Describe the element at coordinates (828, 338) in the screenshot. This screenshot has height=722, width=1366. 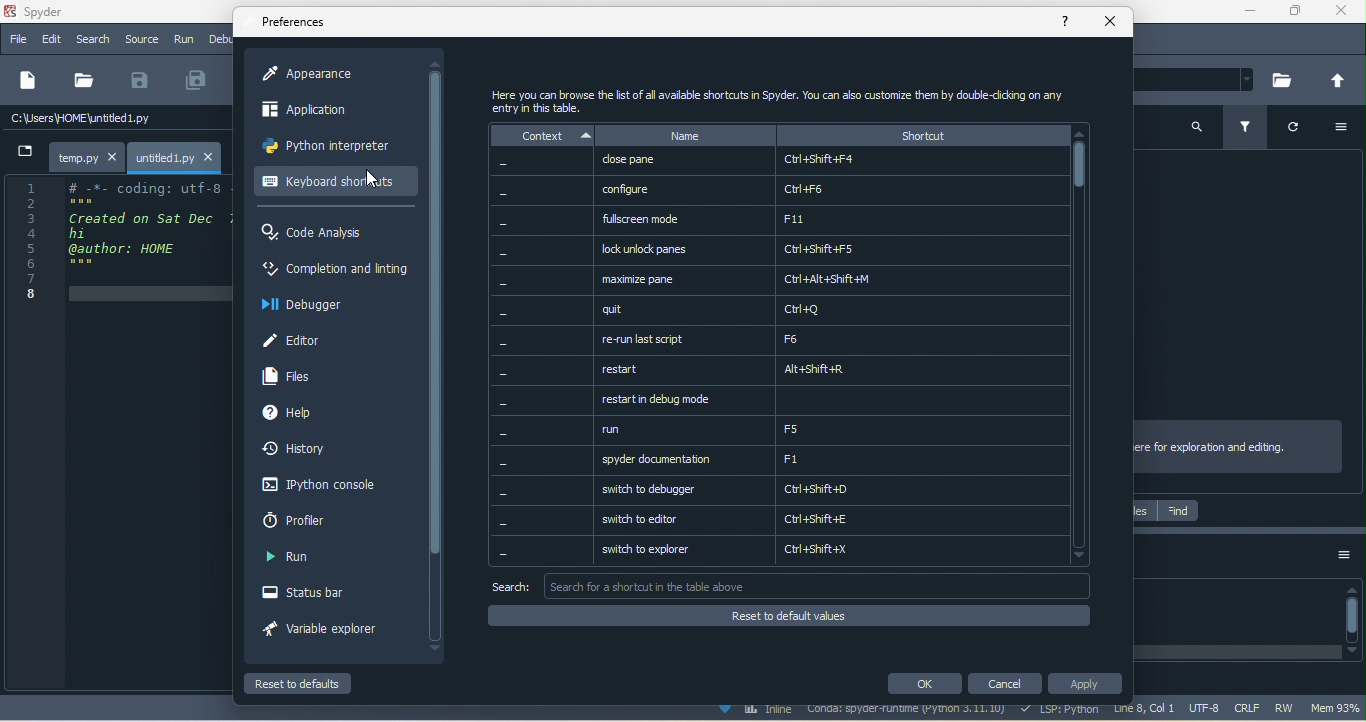
I see `re-run fast script` at that location.